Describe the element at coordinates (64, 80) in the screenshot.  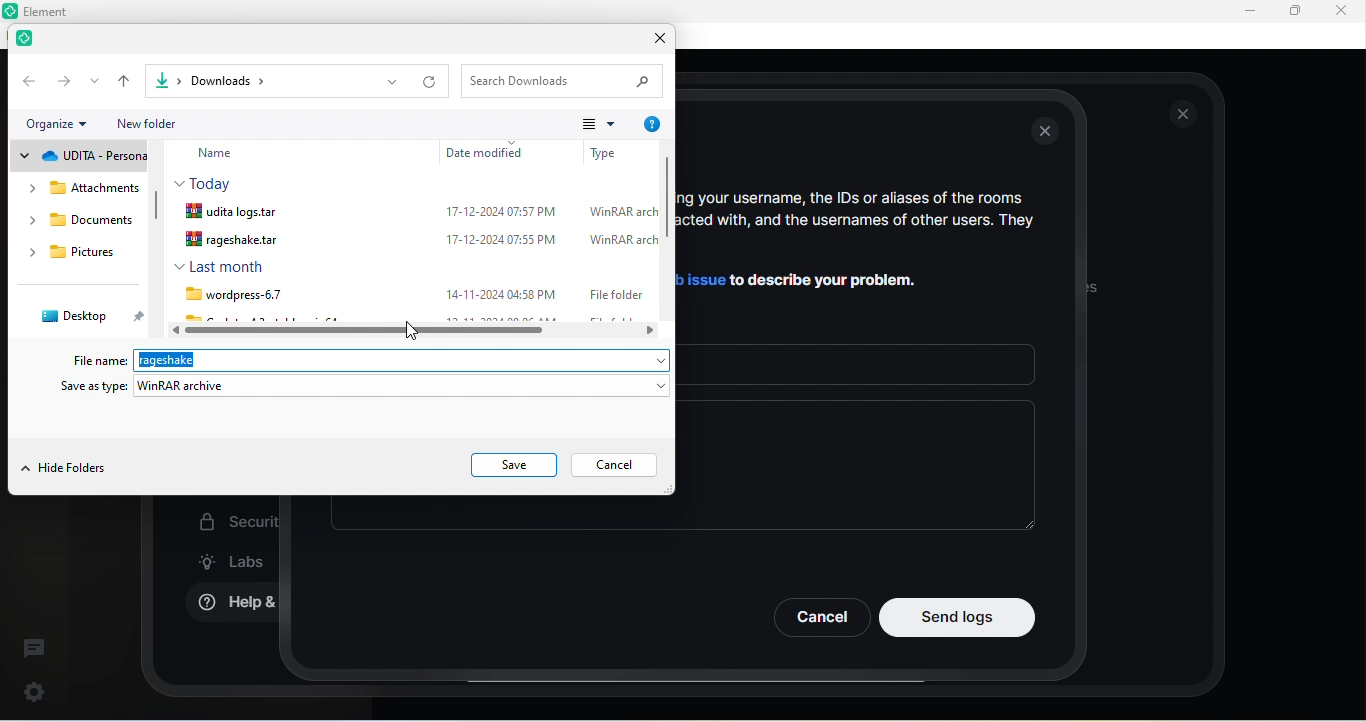
I see `forward` at that location.